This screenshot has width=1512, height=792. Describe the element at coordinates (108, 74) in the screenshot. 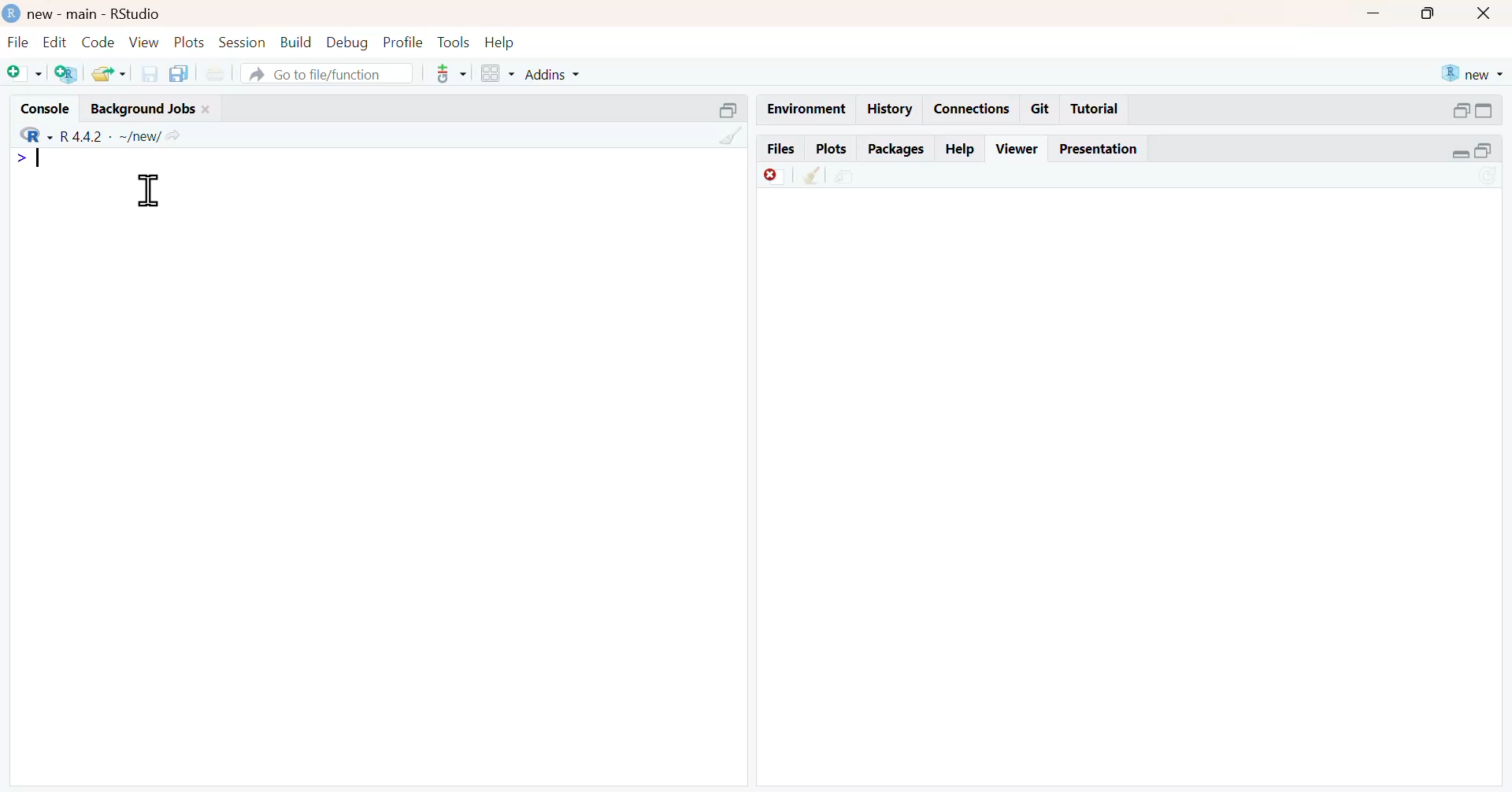

I see `open an existing file` at that location.